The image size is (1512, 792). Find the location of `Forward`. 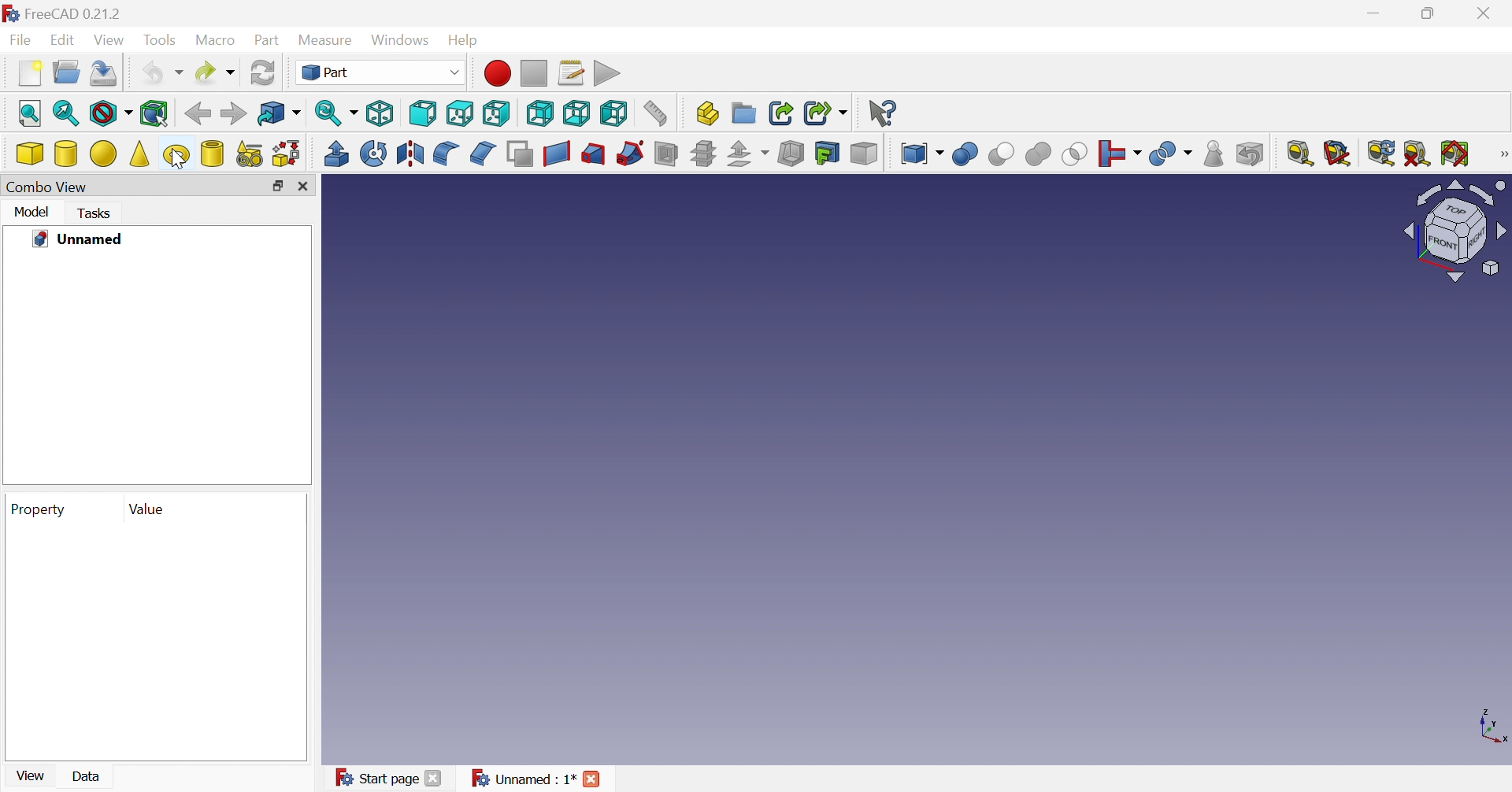

Forward is located at coordinates (232, 113).